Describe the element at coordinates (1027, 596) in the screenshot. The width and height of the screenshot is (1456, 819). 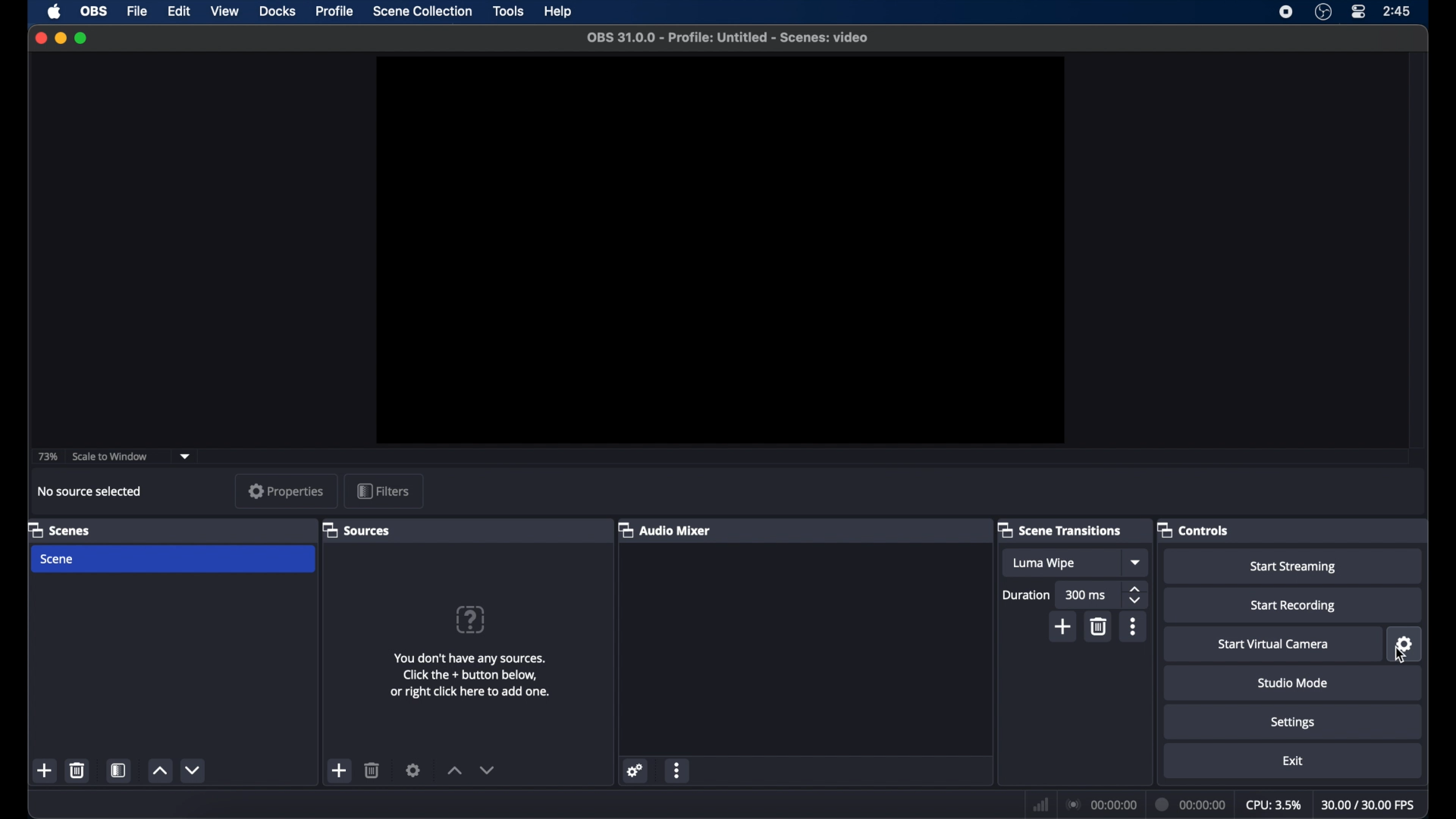
I see `duration` at that location.